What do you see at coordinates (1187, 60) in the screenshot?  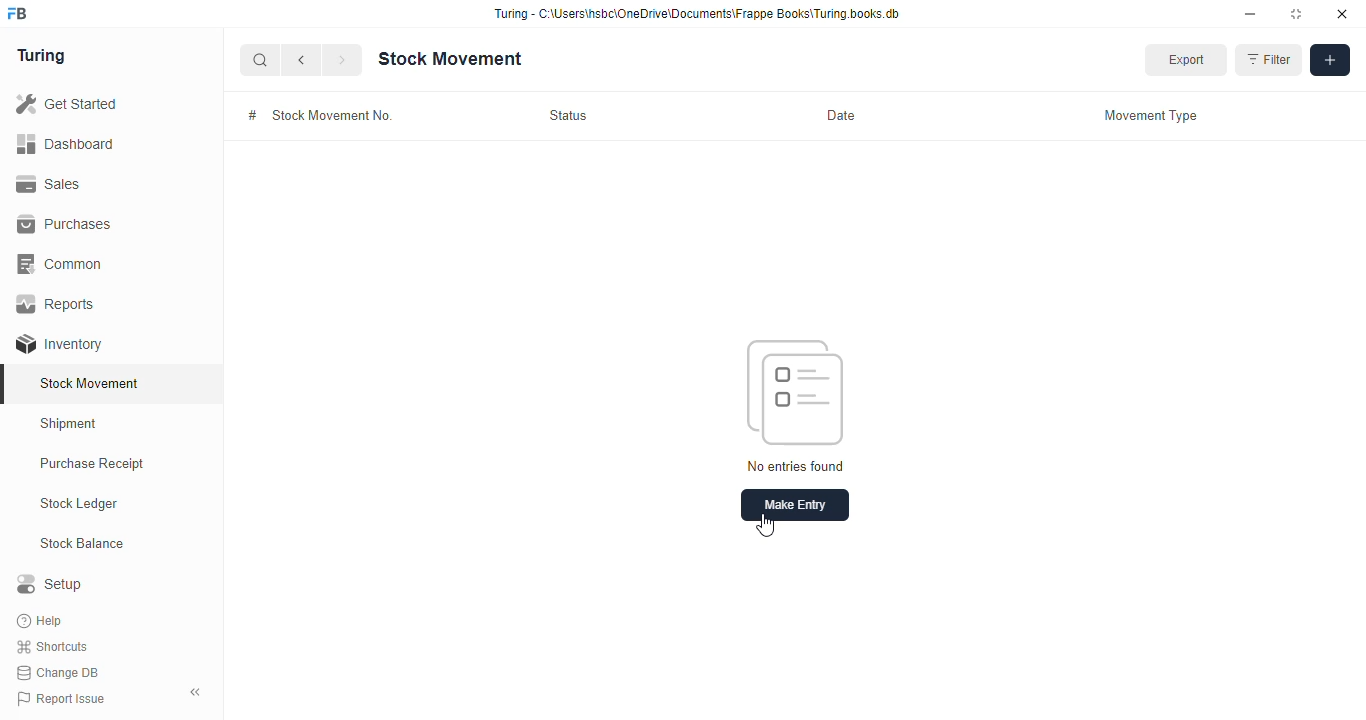 I see `export` at bounding box center [1187, 60].